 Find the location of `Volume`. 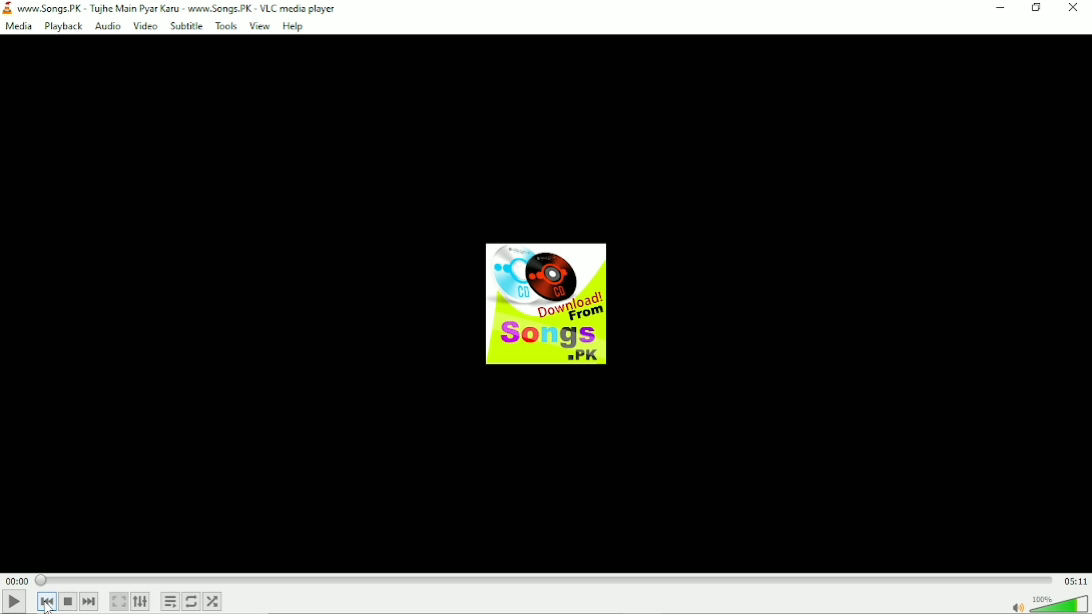

Volume is located at coordinates (1046, 602).